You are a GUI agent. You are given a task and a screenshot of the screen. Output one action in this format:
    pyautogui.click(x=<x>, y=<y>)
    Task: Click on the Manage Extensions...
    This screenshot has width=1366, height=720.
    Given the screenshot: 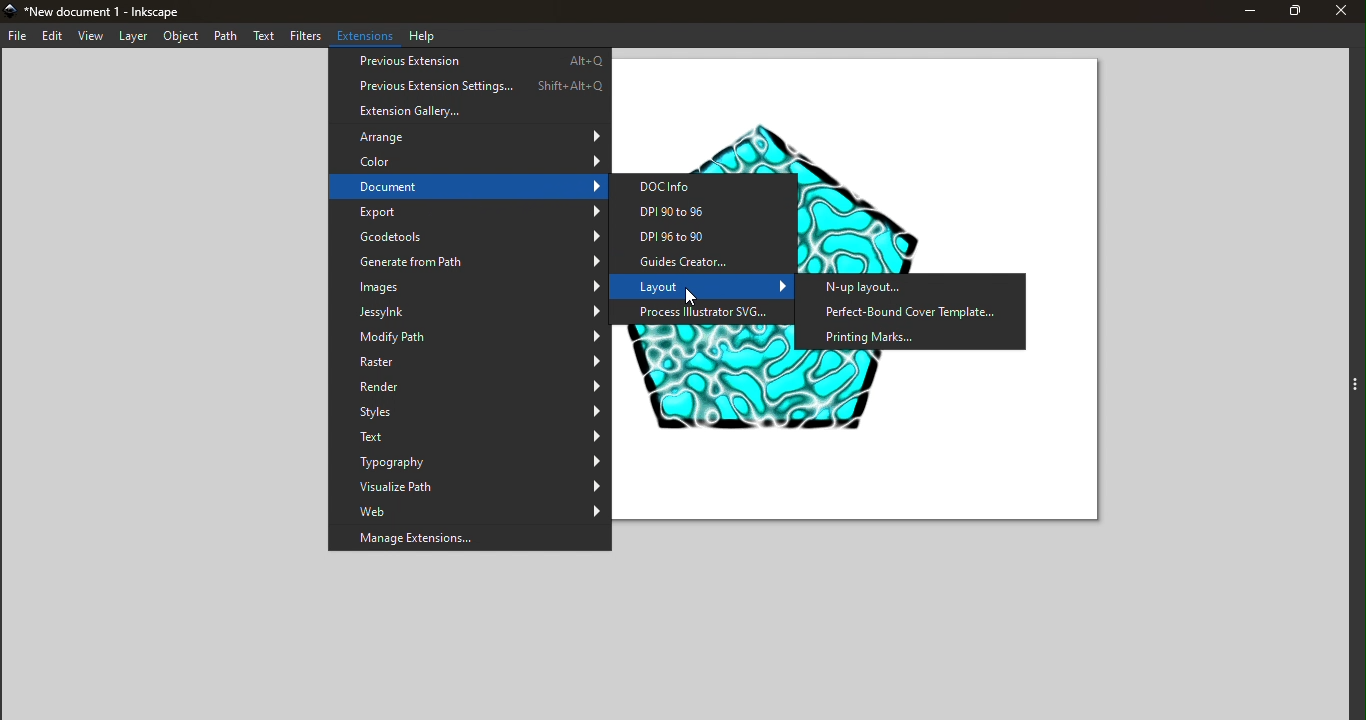 What is the action you would take?
    pyautogui.click(x=469, y=539)
    